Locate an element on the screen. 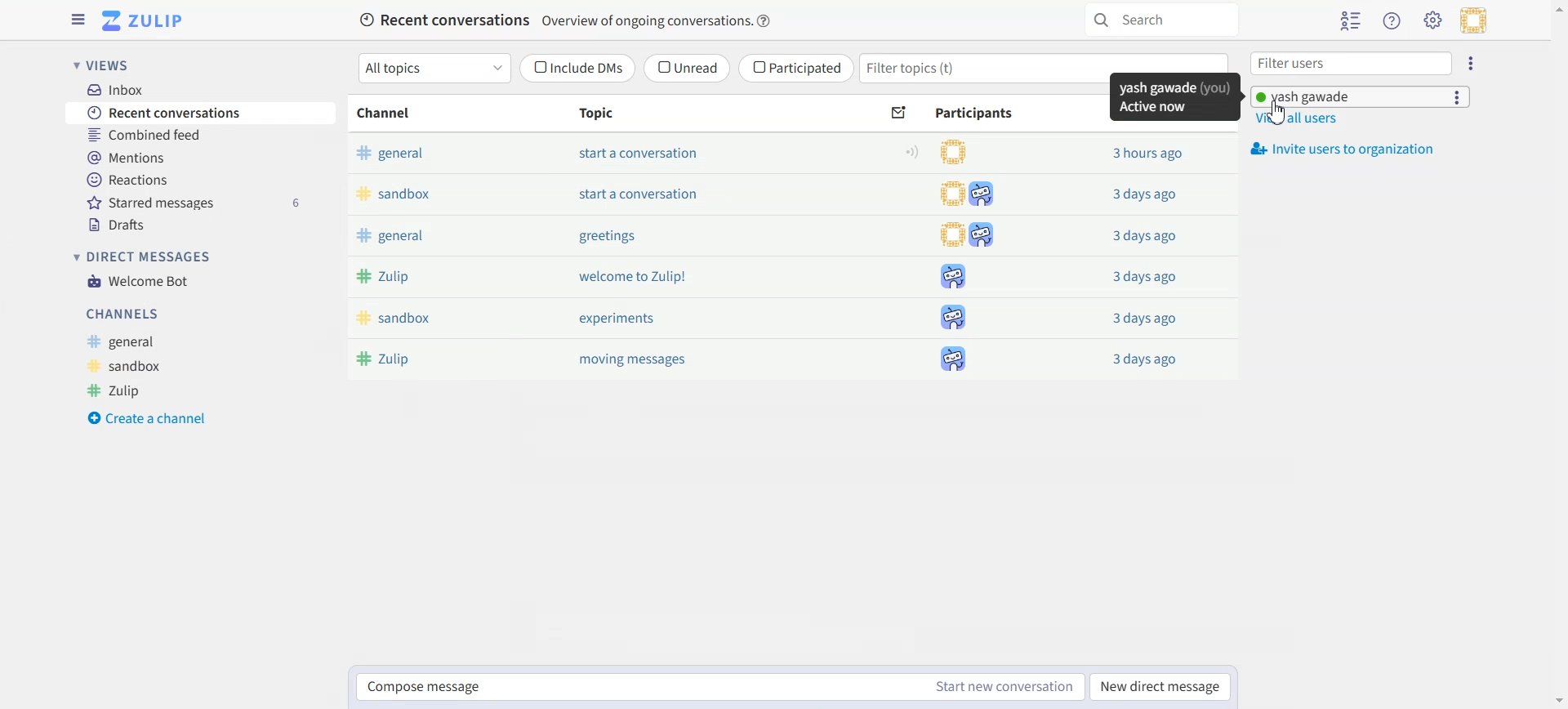 Image resolution: width=1568 pixels, height=709 pixels. Zulip is located at coordinates (116, 392).